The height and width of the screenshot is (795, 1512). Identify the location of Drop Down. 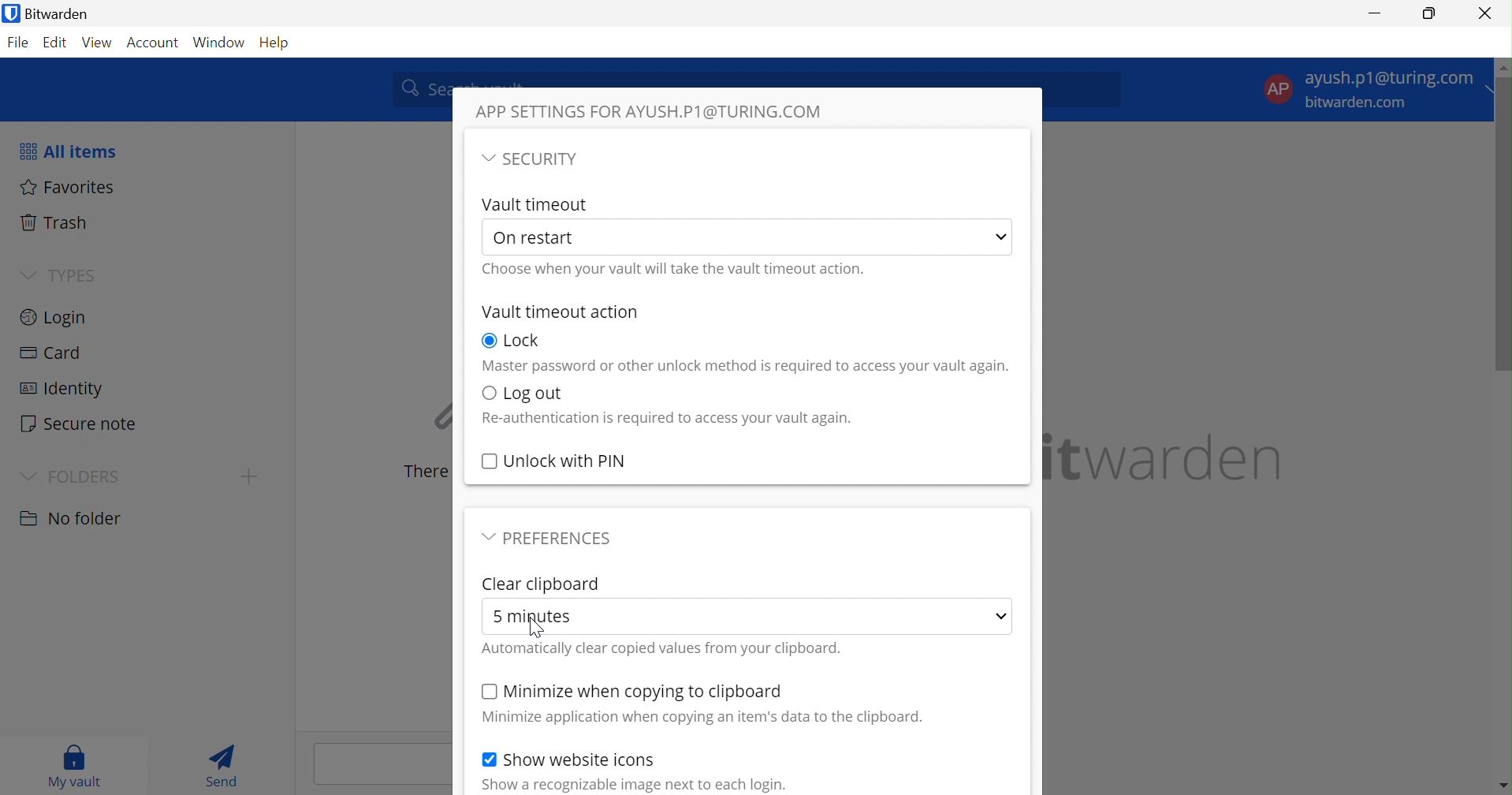
(27, 478).